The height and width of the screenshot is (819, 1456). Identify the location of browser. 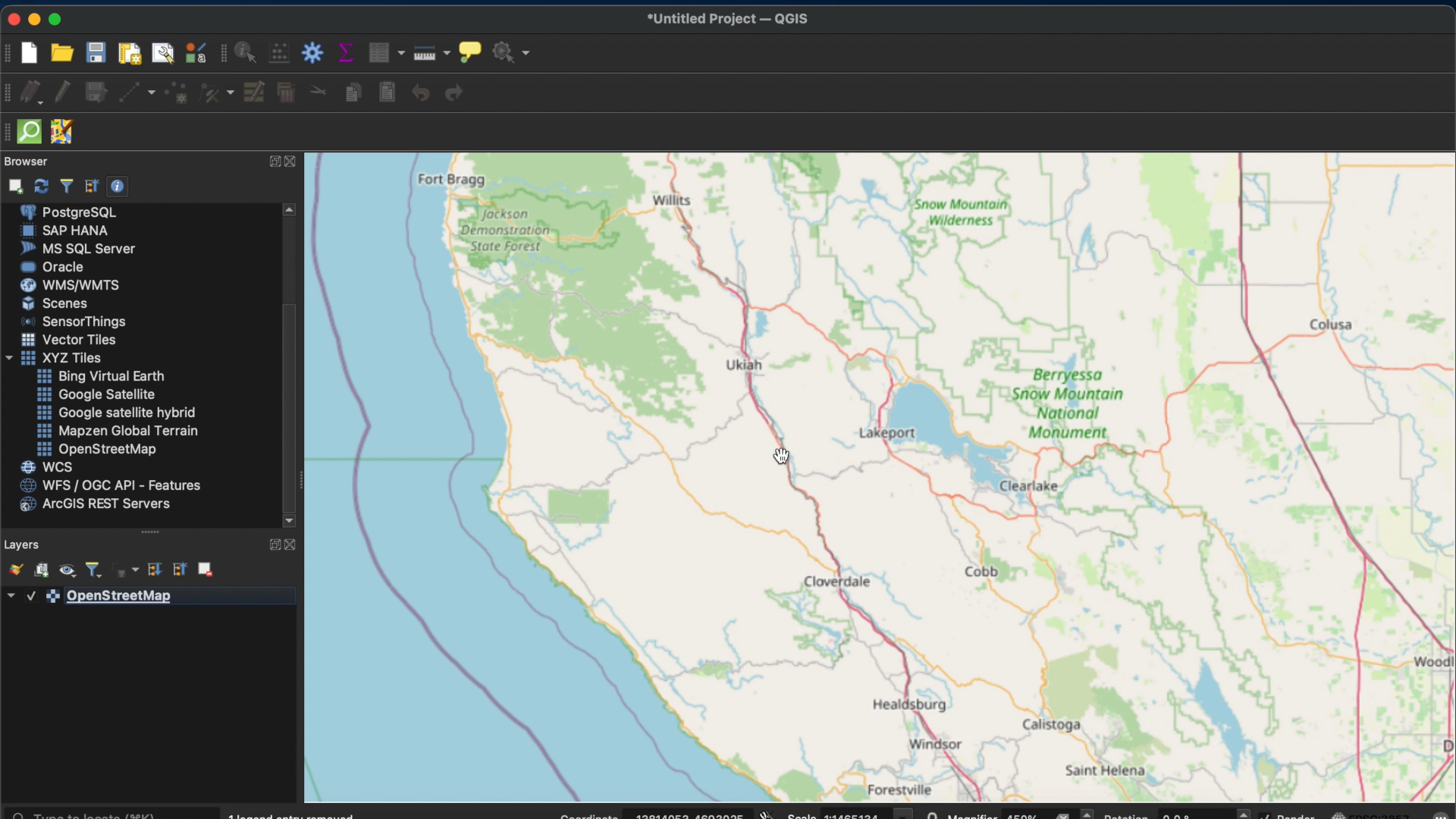
(26, 162).